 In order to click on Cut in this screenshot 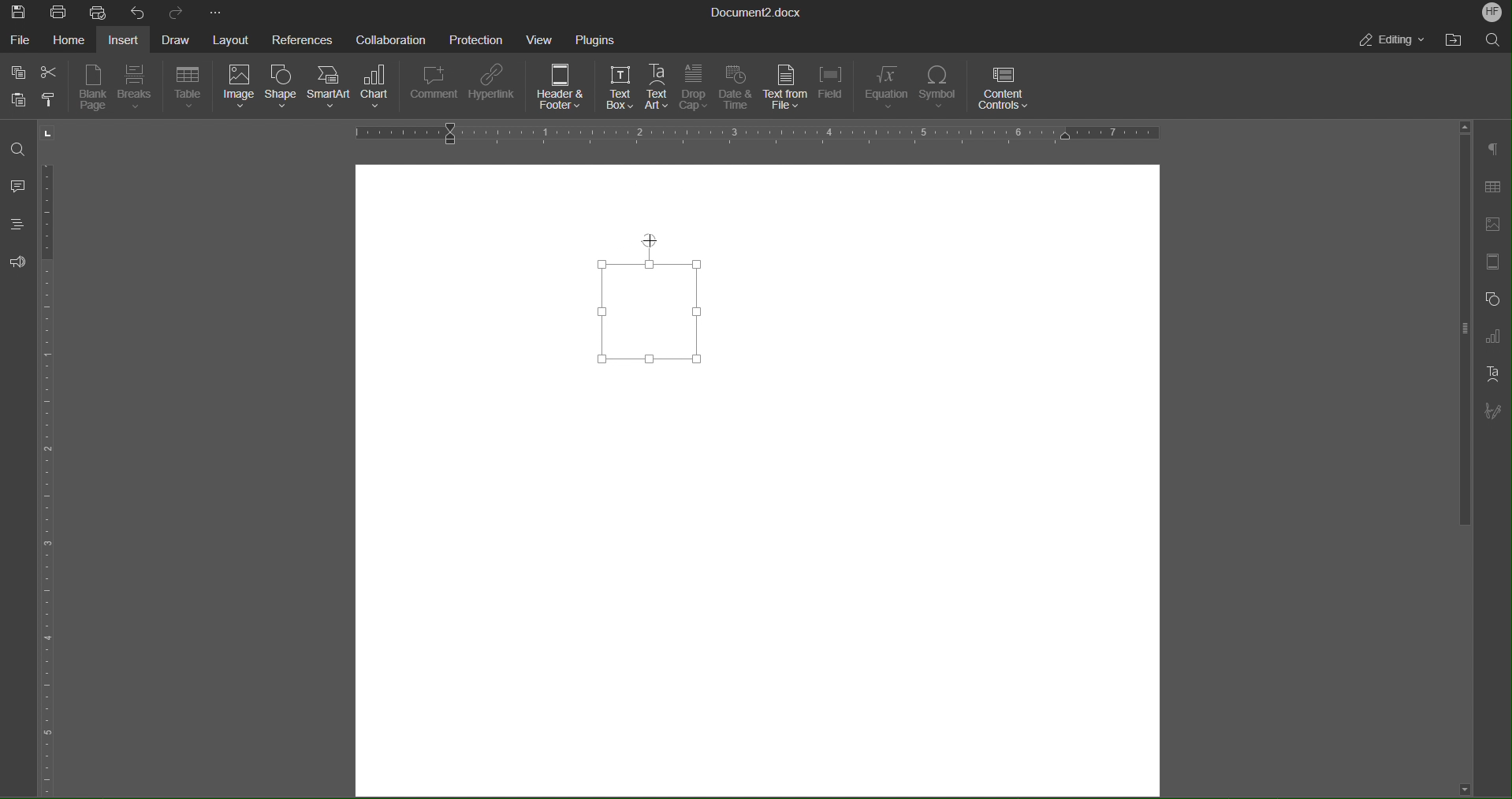, I will do `click(50, 69)`.